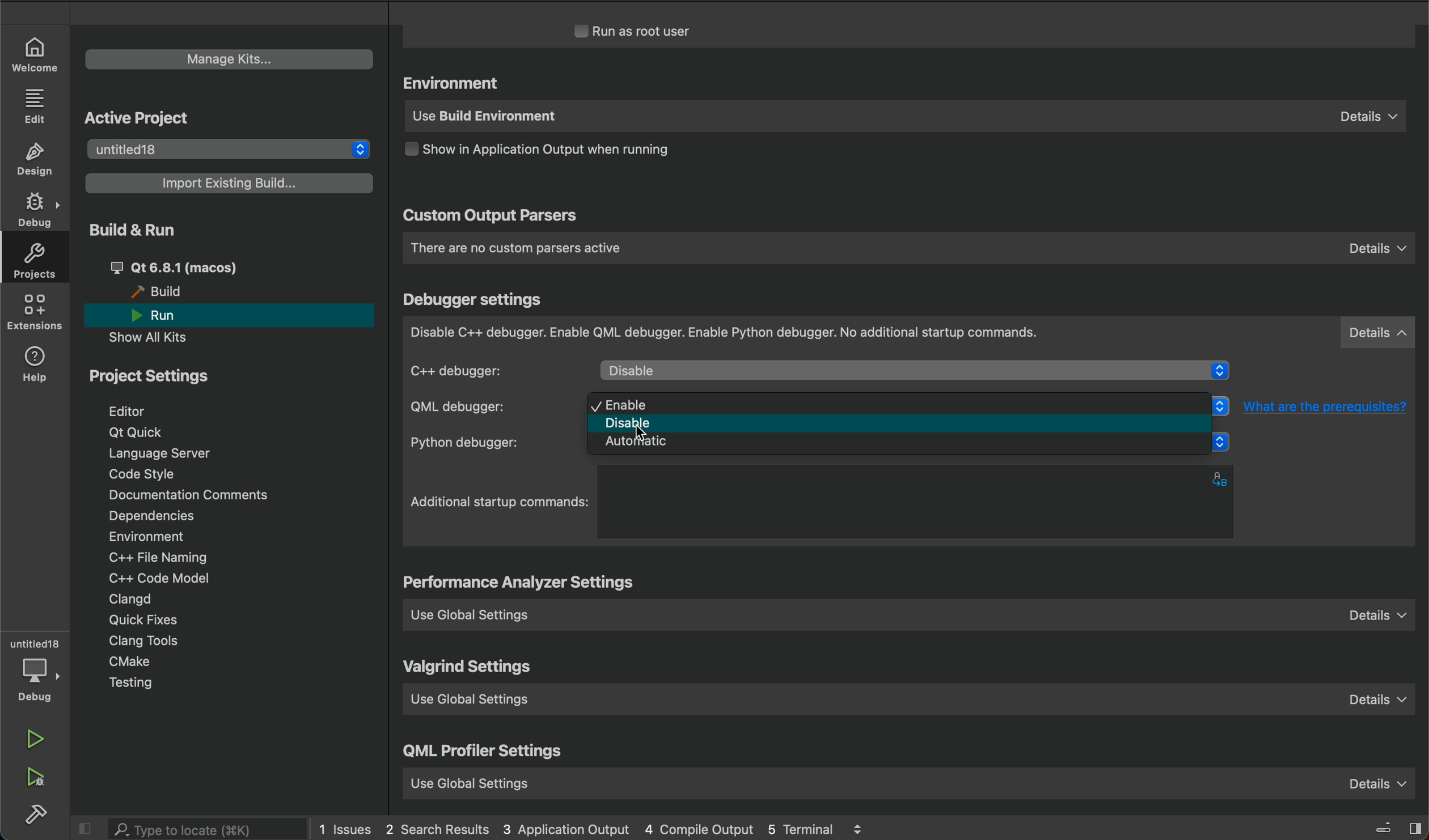 The image size is (1429, 840). I want to click on close slidebar, so click(90, 829).